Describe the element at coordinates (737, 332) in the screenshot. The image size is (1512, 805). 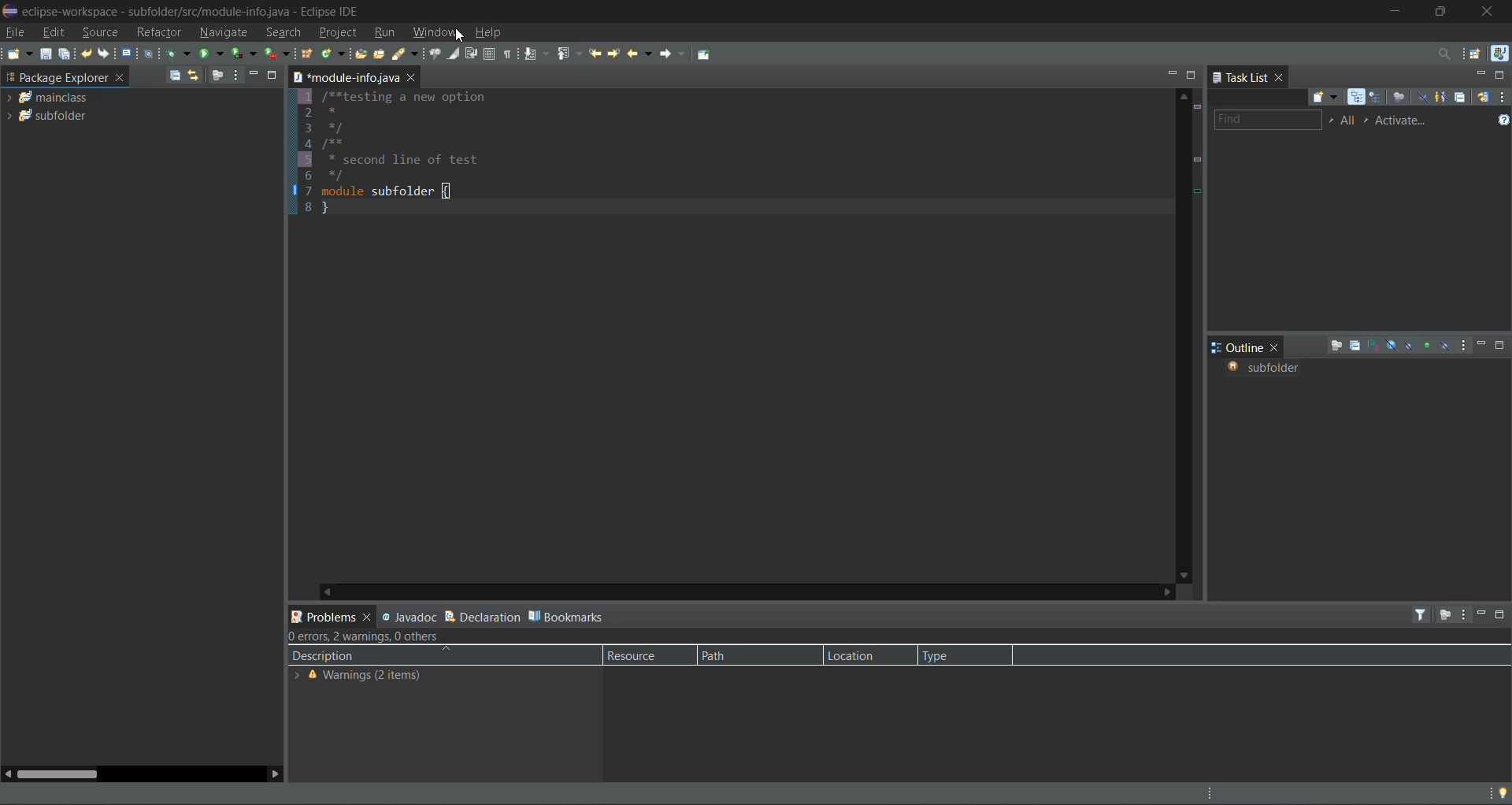
I see `code workspace` at that location.